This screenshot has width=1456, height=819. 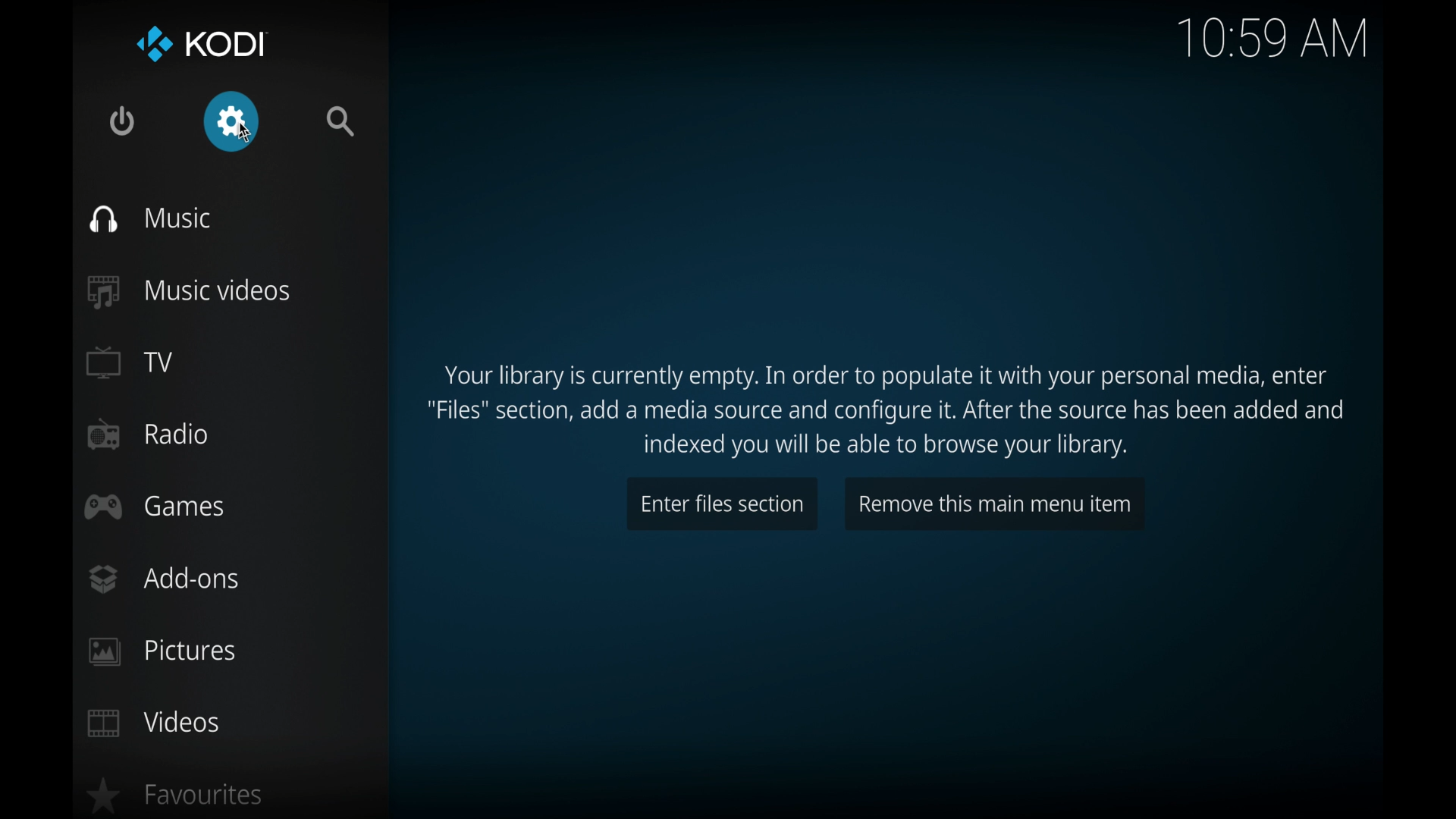 What do you see at coordinates (342, 122) in the screenshot?
I see `search` at bounding box center [342, 122].